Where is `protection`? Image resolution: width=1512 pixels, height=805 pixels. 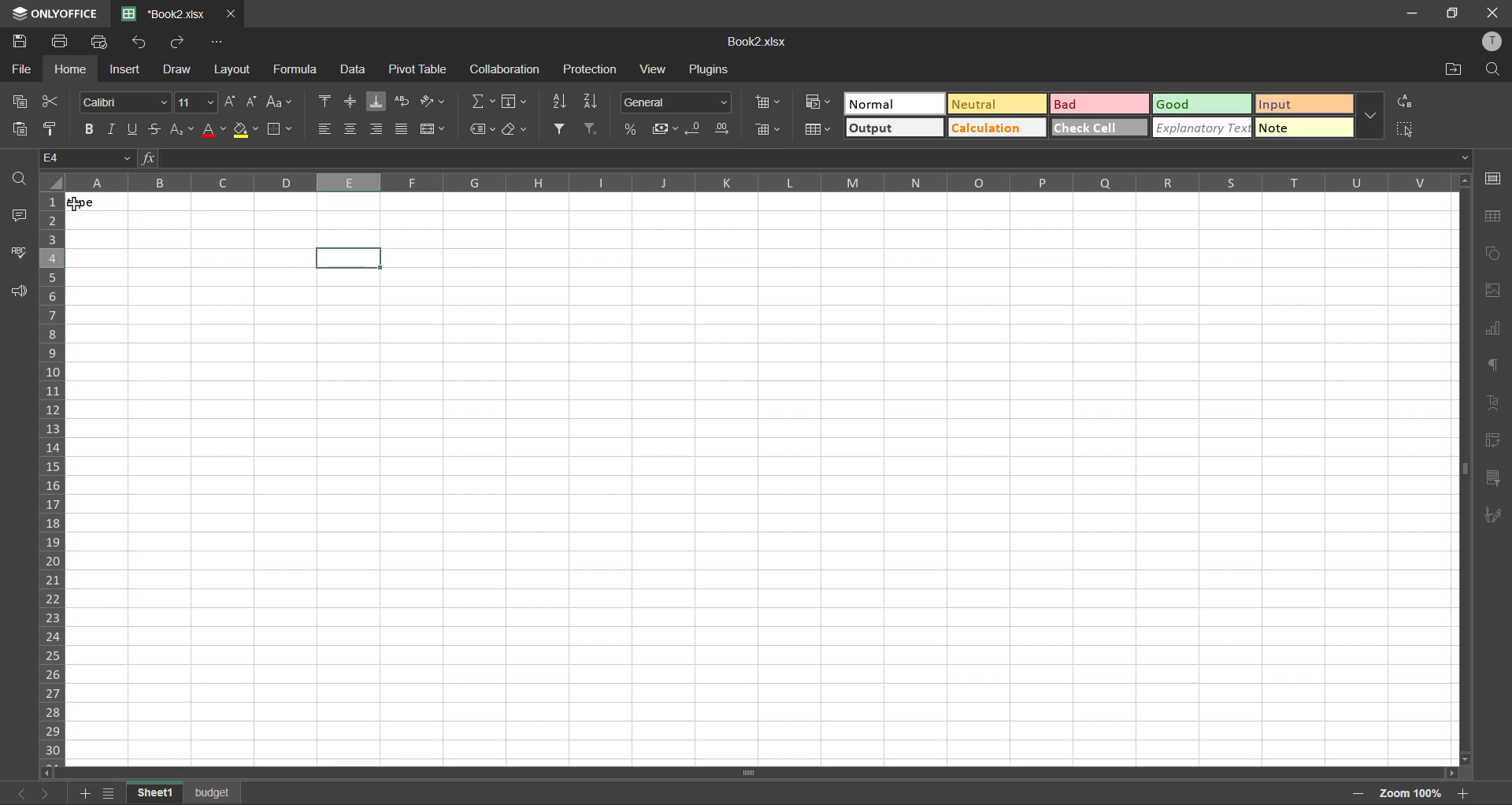
protection is located at coordinates (592, 68).